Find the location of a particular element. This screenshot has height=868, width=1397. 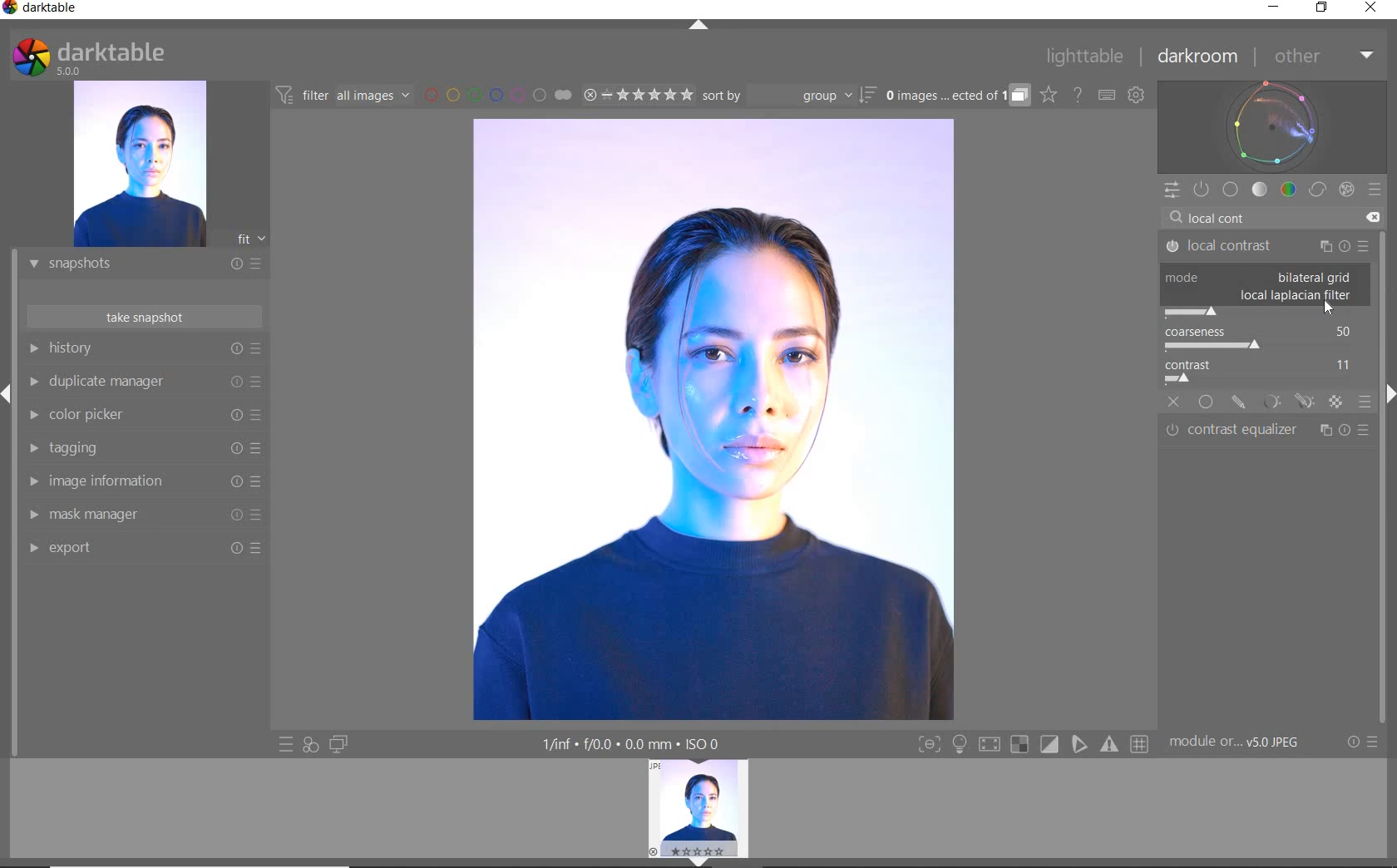

Button is located at coordinates (960, 746).